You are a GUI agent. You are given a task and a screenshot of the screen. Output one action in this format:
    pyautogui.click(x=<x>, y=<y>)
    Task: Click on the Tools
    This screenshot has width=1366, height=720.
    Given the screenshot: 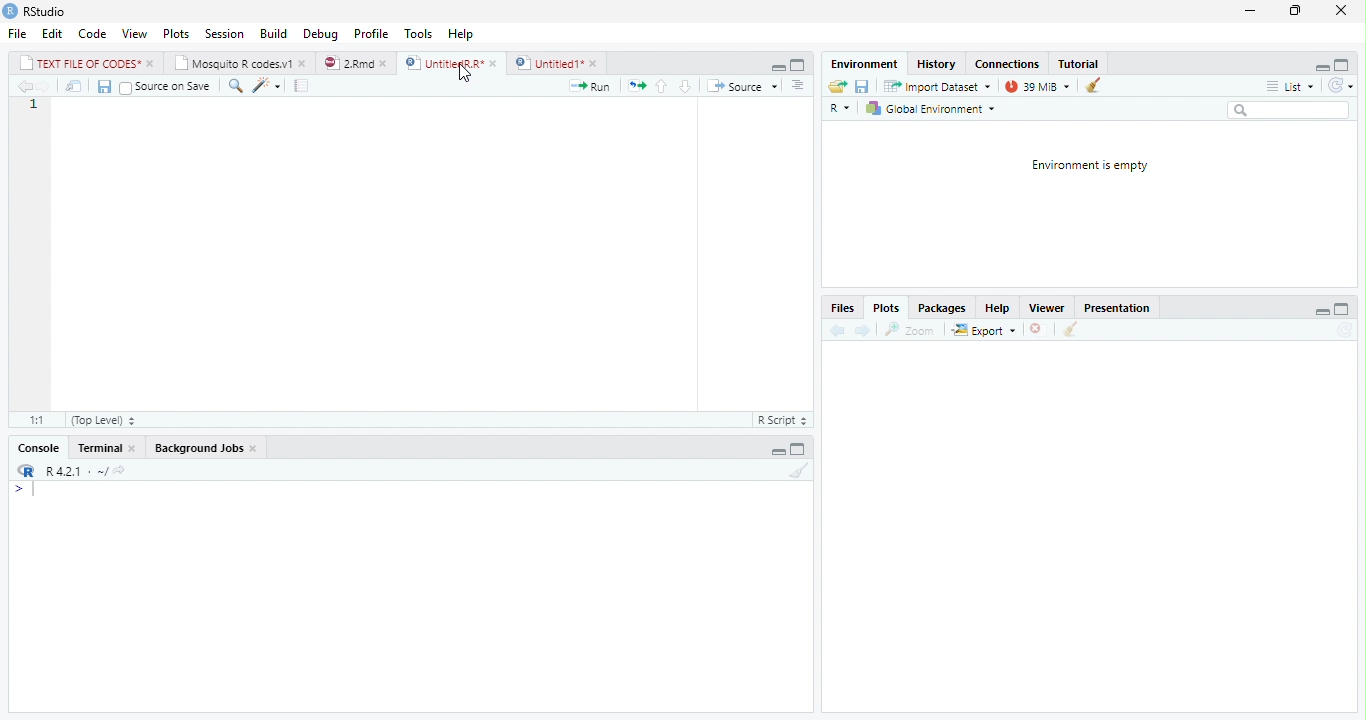 What is the action you would take?
    pyautogui.click(x=418, y=33)
    